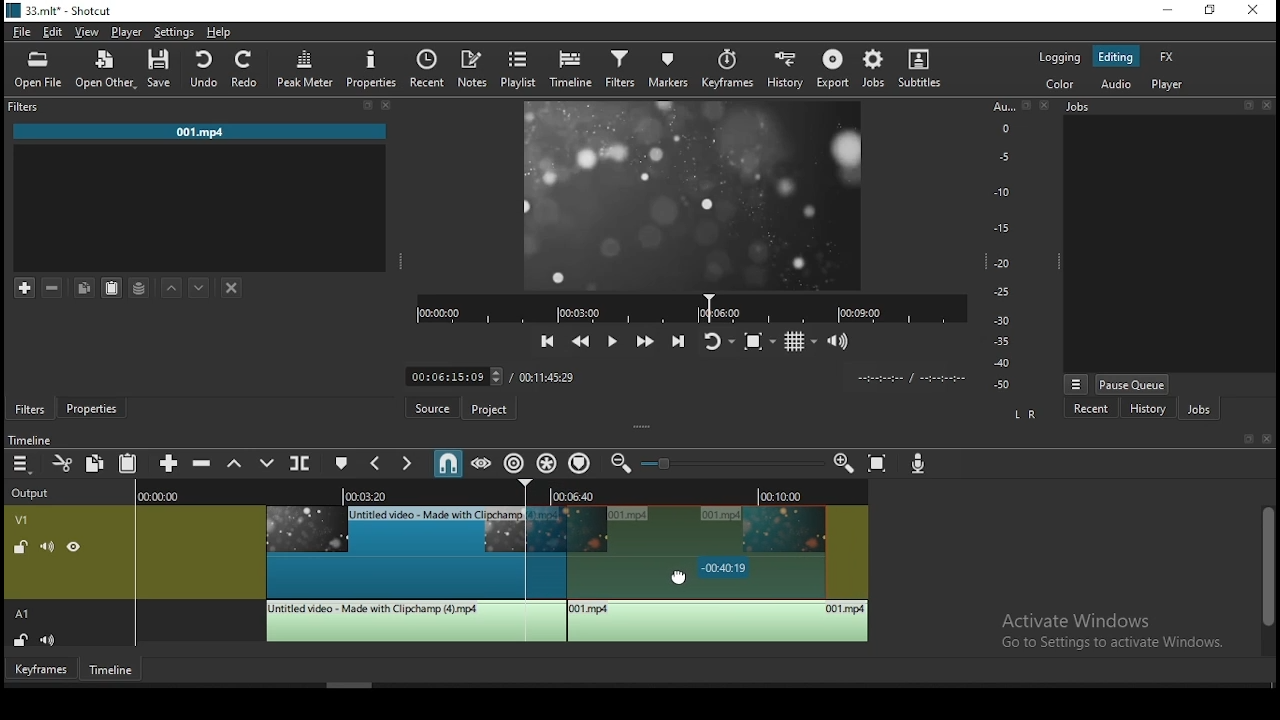 The width and height of the screenshot is (1280, 720). What do you see at coordinates (845, 464) in the screenshot?
I see `zoom timeline in` at bounding box center [845, 464].